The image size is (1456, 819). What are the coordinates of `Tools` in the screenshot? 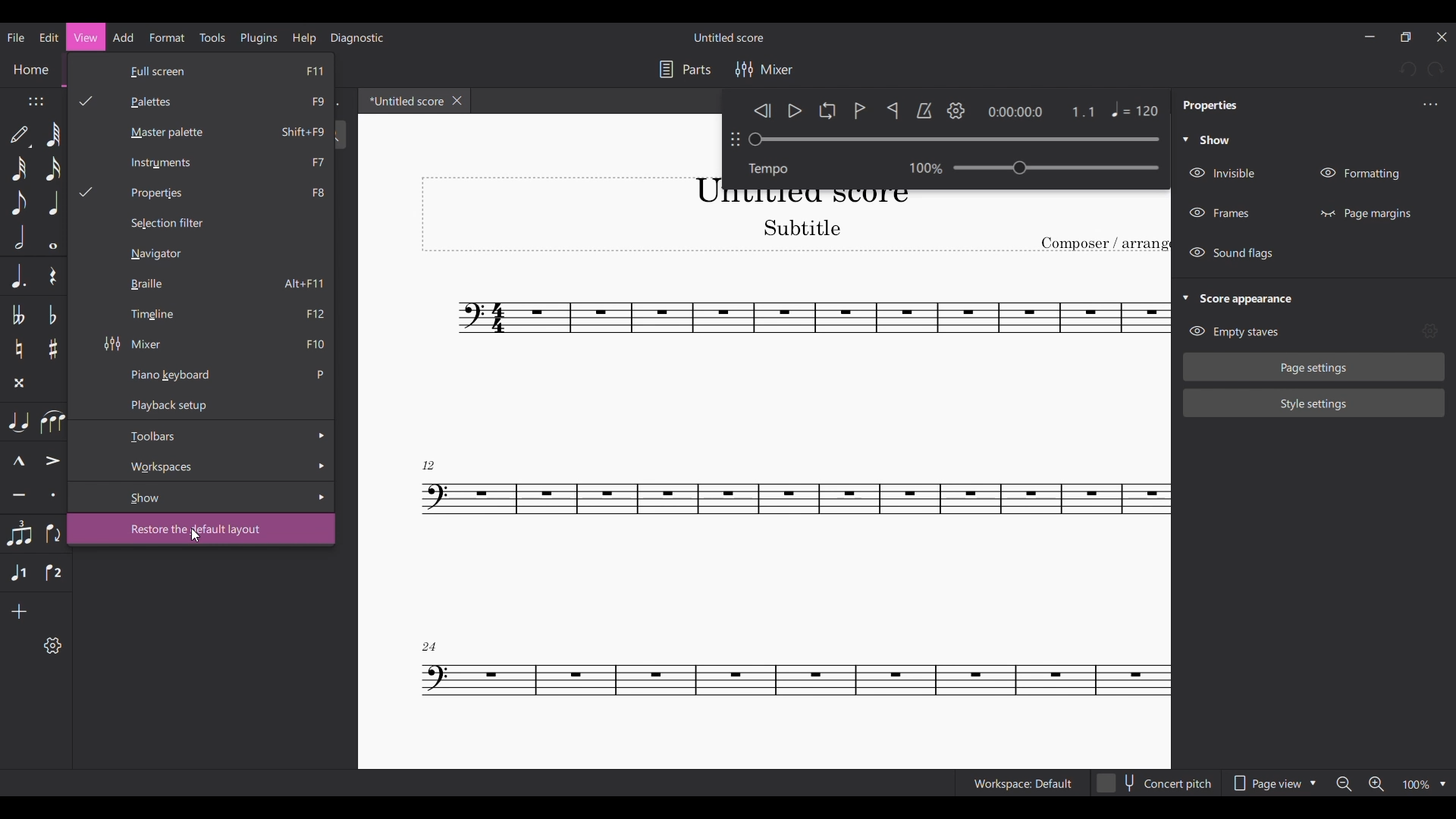 It's located at (212, 37).